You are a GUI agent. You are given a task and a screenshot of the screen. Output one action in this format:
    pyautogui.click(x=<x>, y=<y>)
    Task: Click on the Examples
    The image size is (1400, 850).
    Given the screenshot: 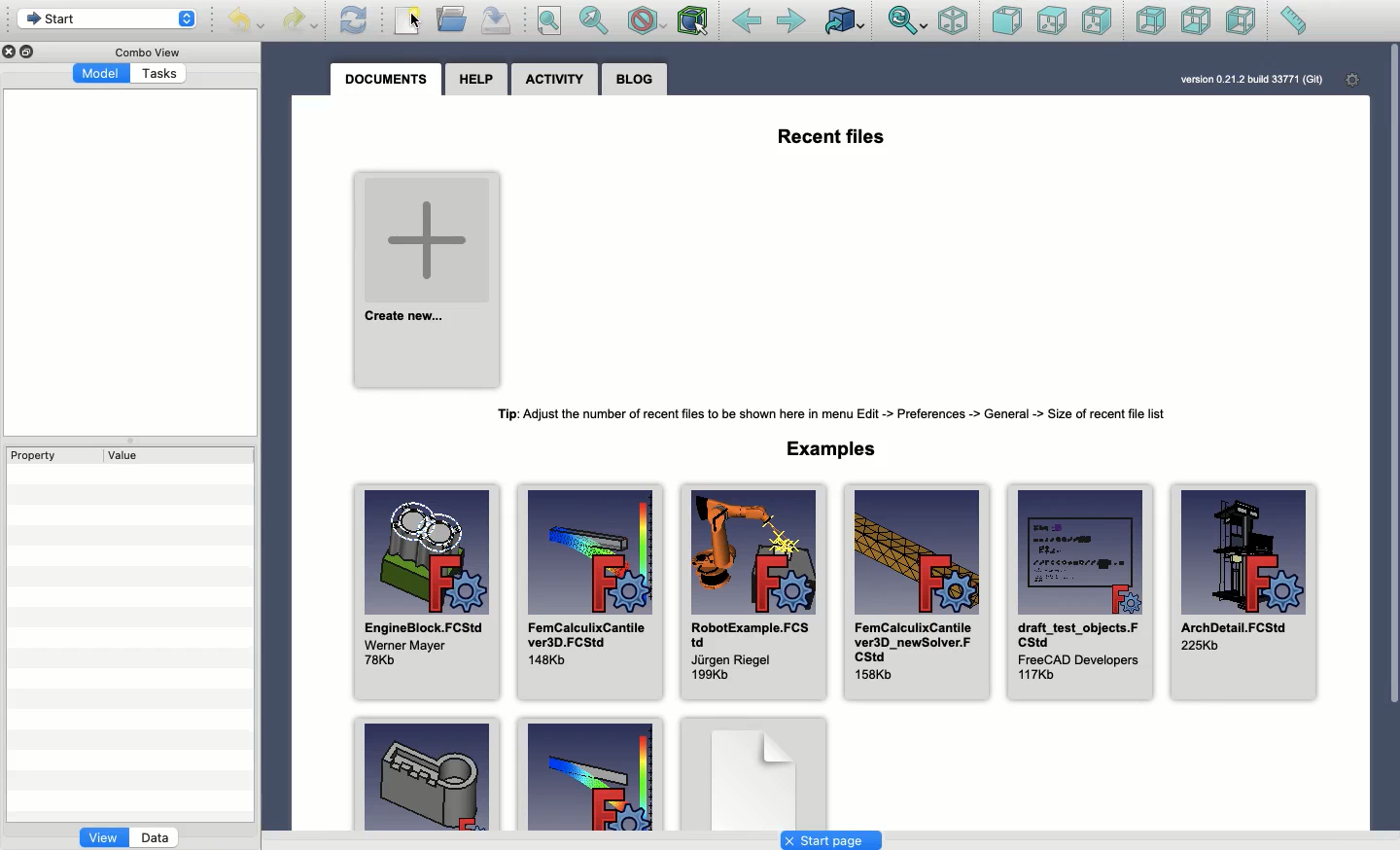 What is the action you would take?
    pyautogui.click(x=423, y=776)
    